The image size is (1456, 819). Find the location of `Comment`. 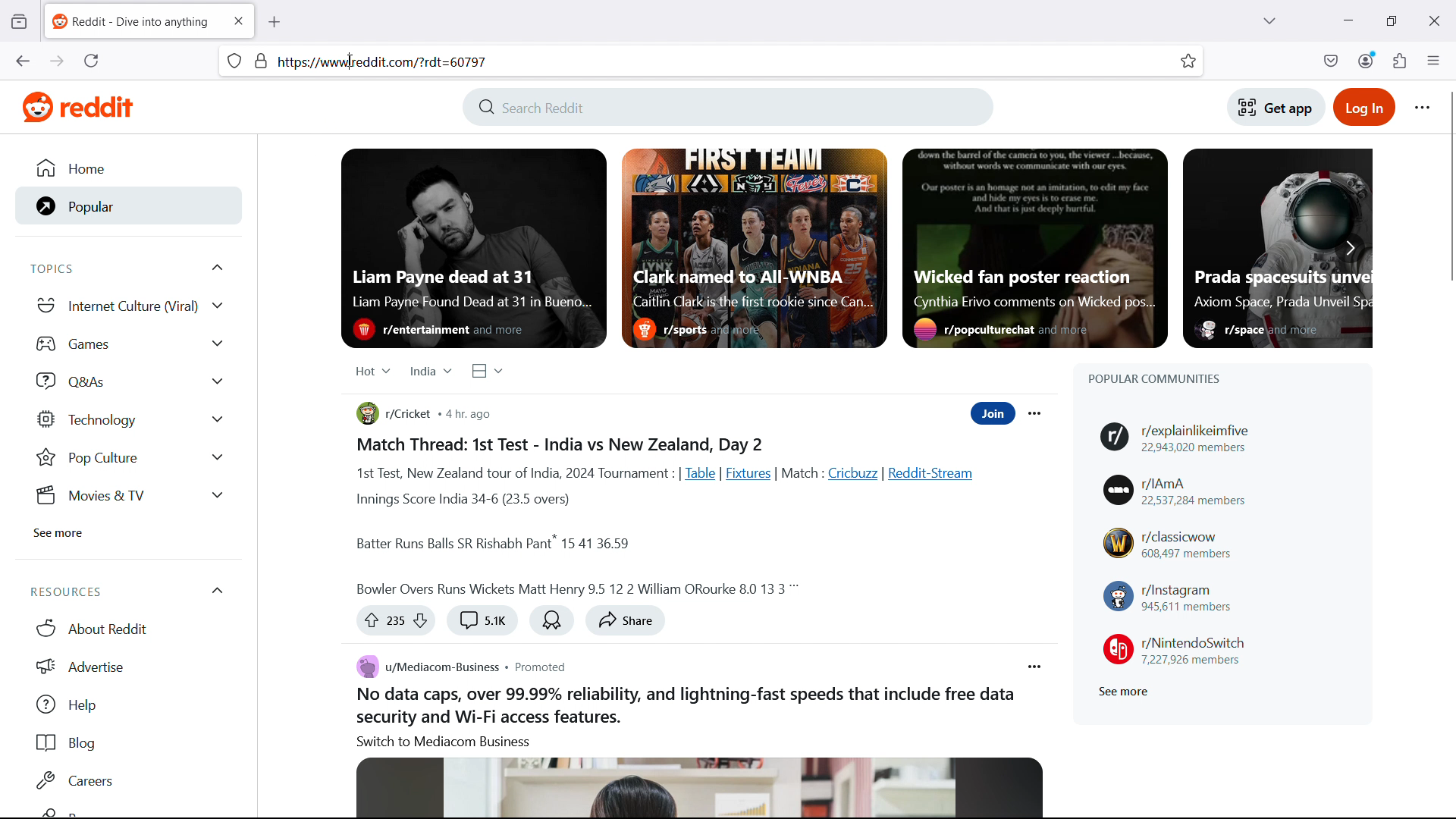

Comment is located at coordinates (481, 621).